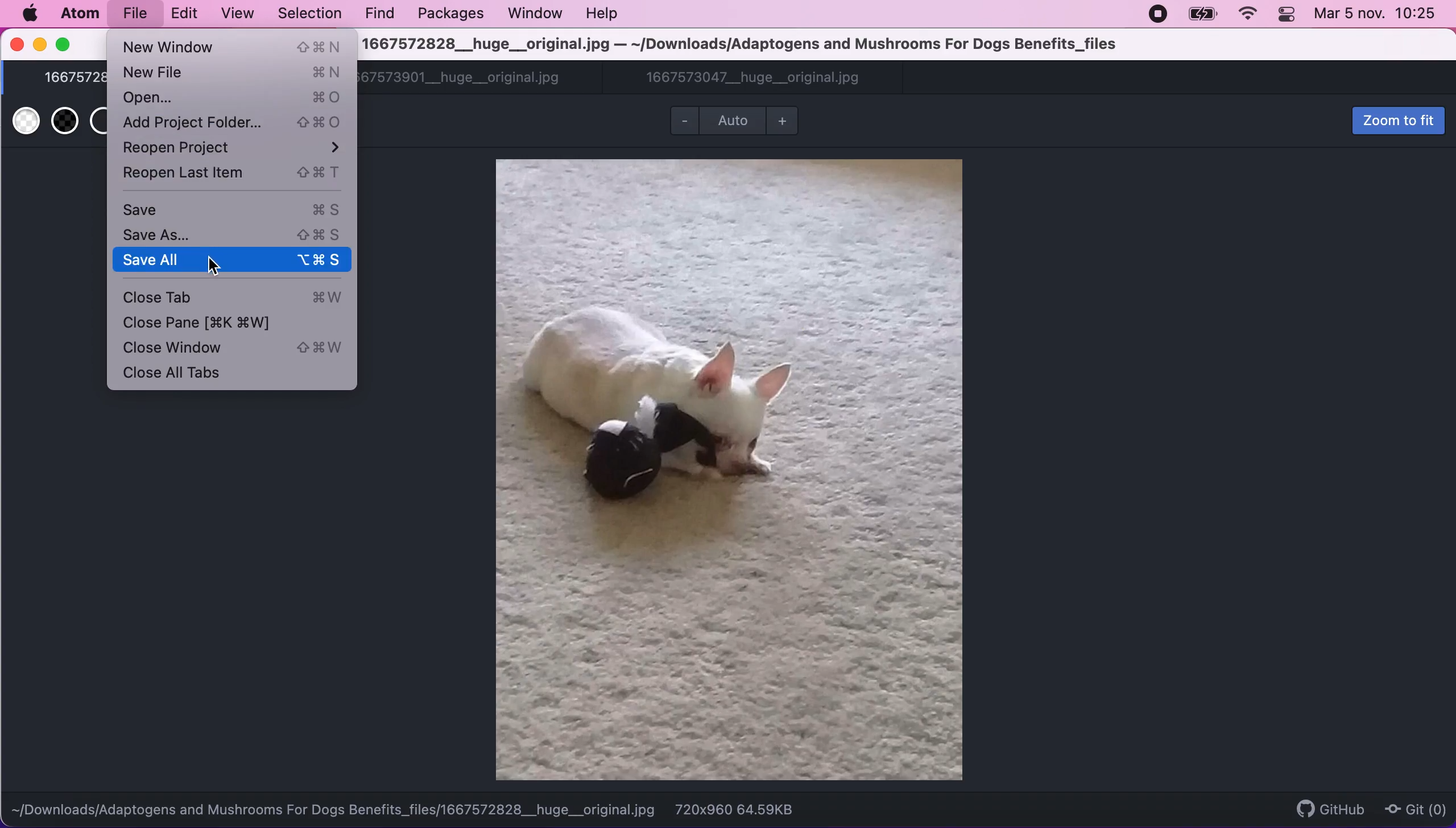 This screenshot has width=1456, height=828. What do you see at coordinates (735, 810) in the screenshot?
I see `720x960 64.59KB` at bounding box center [735, 810].